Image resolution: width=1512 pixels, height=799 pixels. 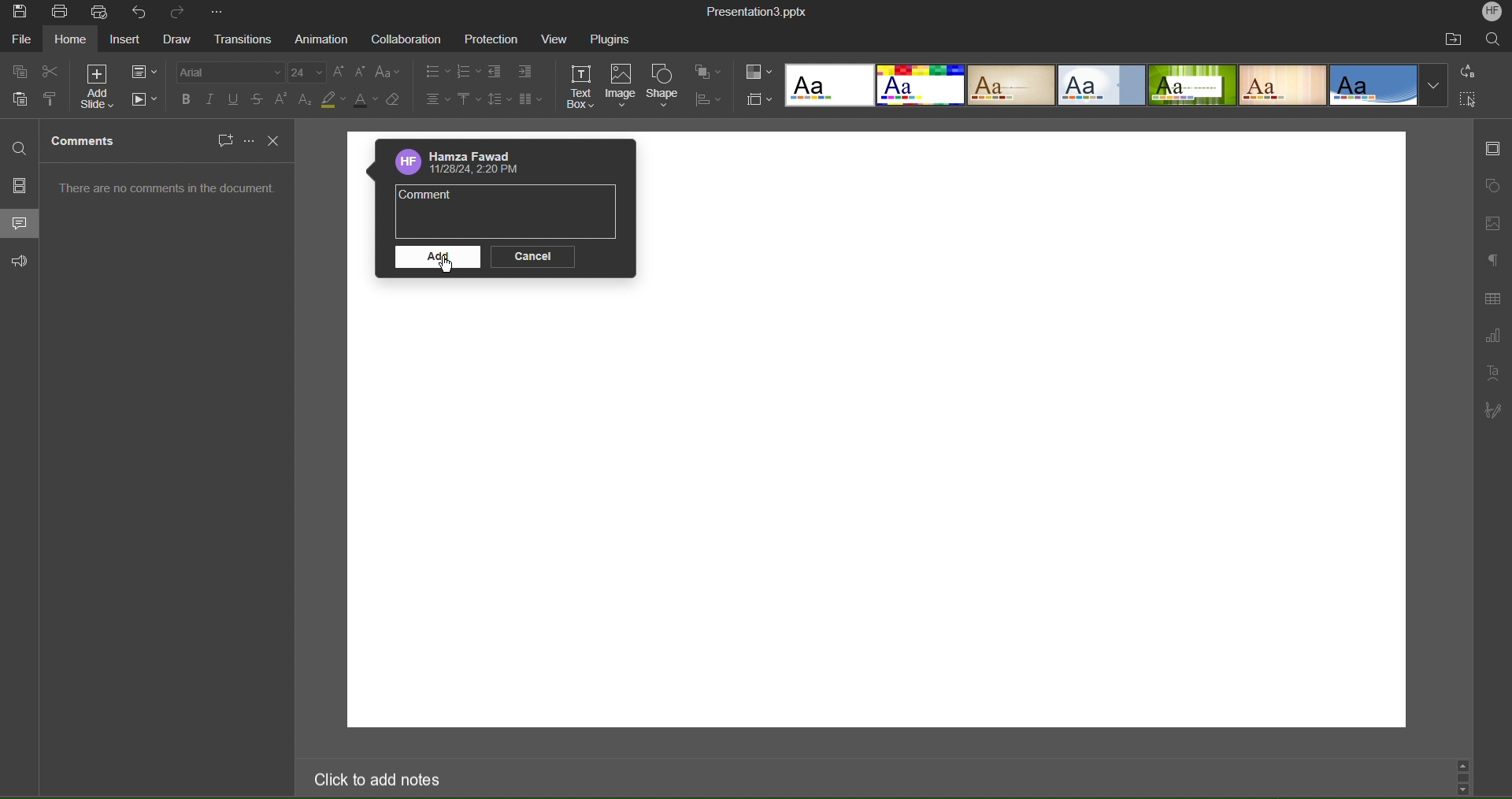 What do you see at coordinates (1469, 72) in the screenshot?
I see `Replace` at bounding box center [1469, 72].